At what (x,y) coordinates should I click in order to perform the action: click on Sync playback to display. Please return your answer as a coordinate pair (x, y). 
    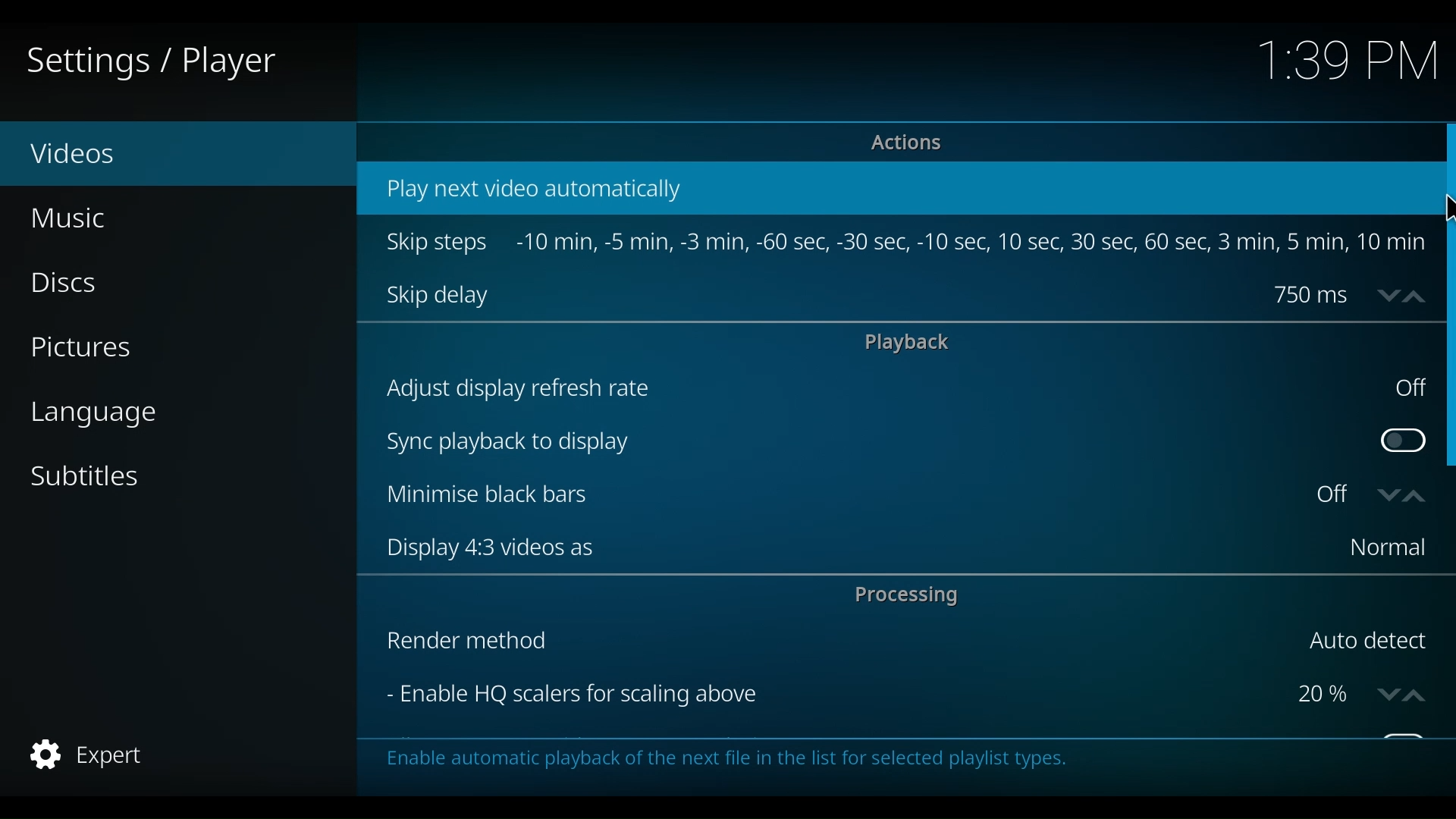
    Looking at the image, I should click on (874, 444).